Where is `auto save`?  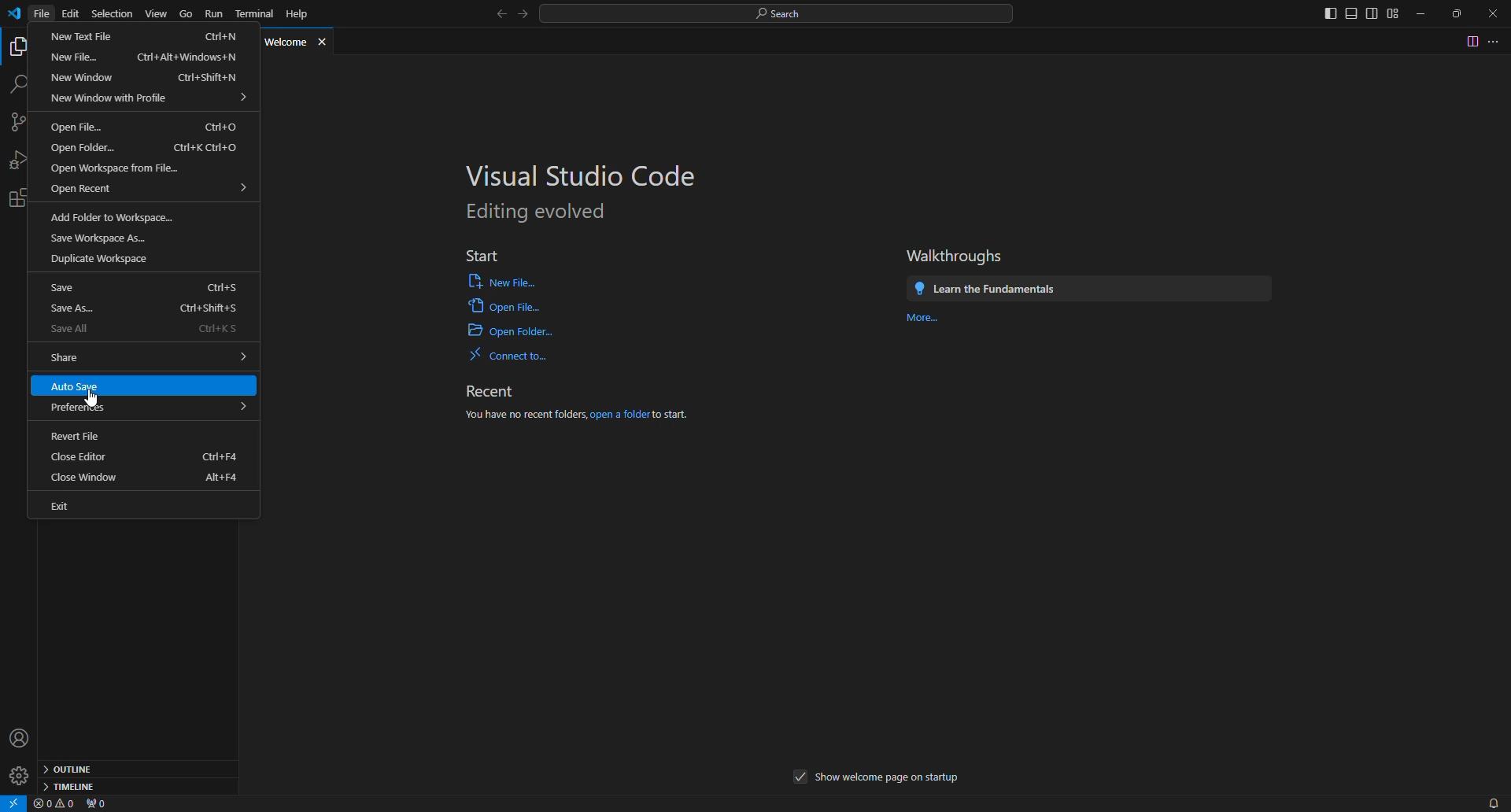 auto save is located at coordinates (75, 386).